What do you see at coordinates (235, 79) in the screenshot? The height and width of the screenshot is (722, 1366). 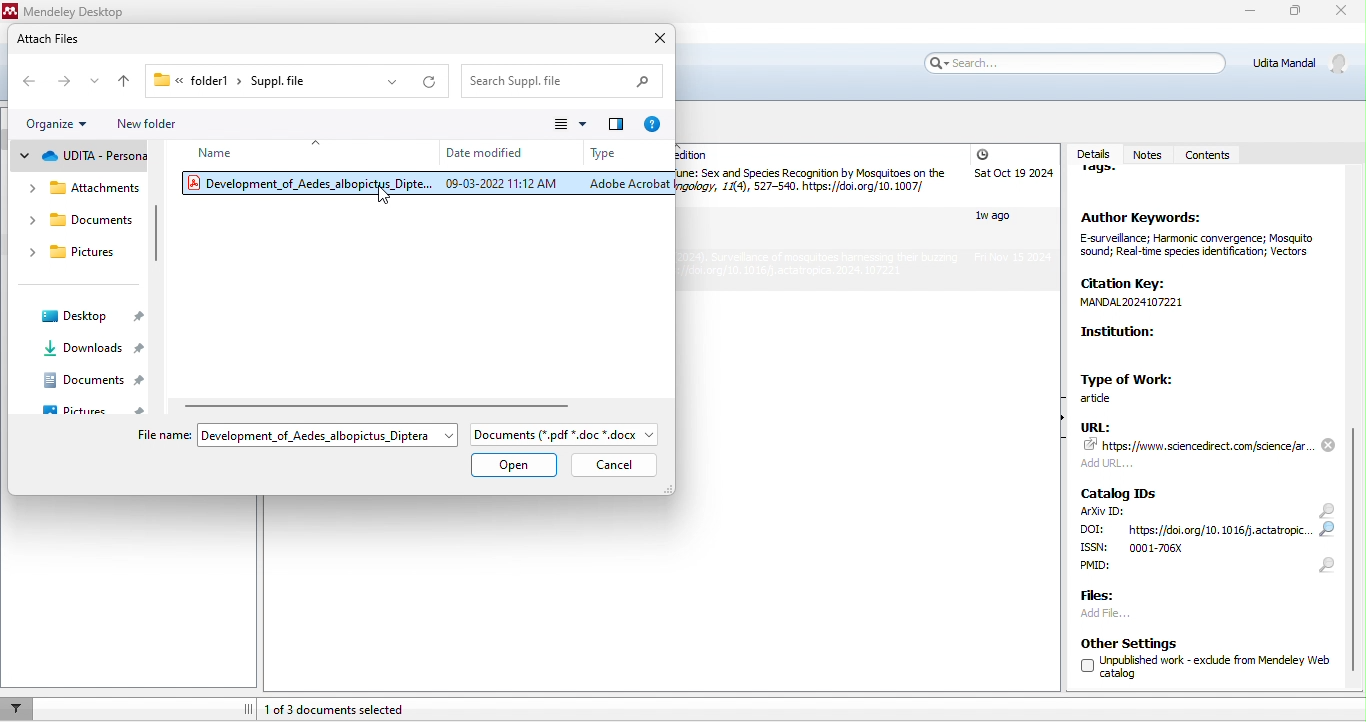 I see `folder1> Suppl.file` at bounding box center [235, 79].